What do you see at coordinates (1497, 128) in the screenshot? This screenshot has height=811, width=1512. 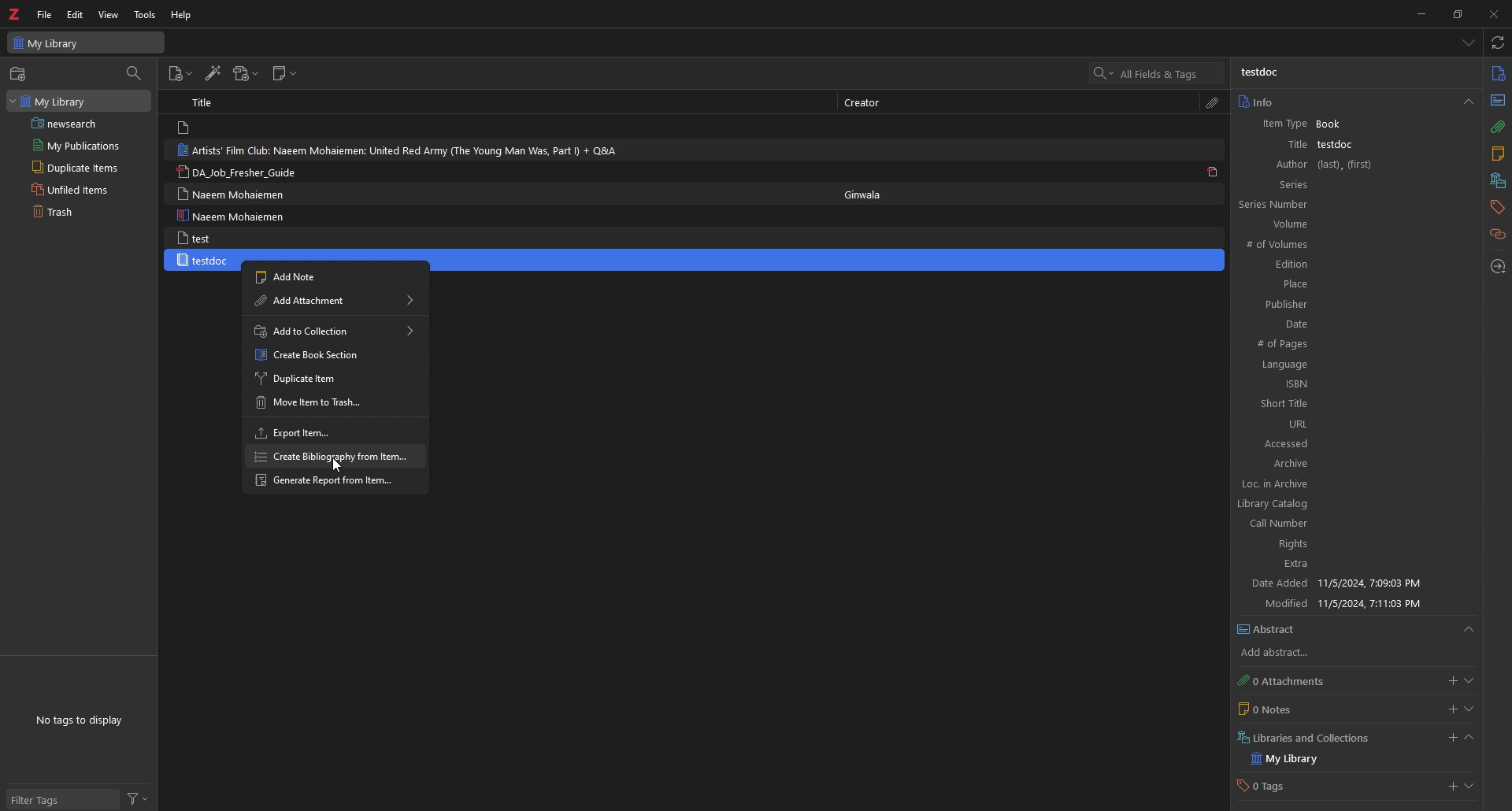 I see `attachment` at bounding box center [1497, 128].